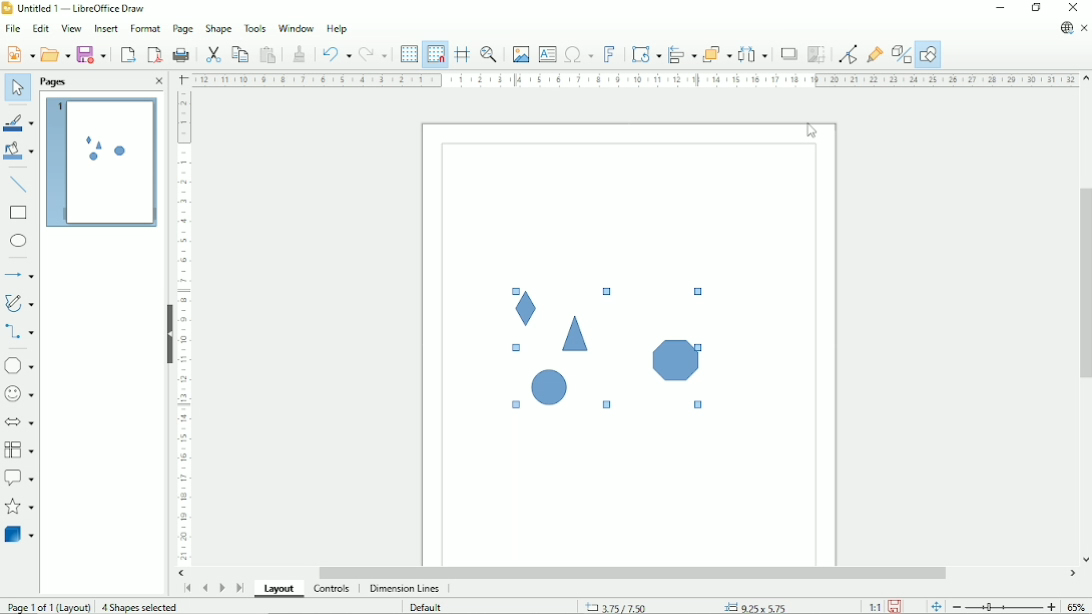  I want to click on Update available, so click(1066, 28).